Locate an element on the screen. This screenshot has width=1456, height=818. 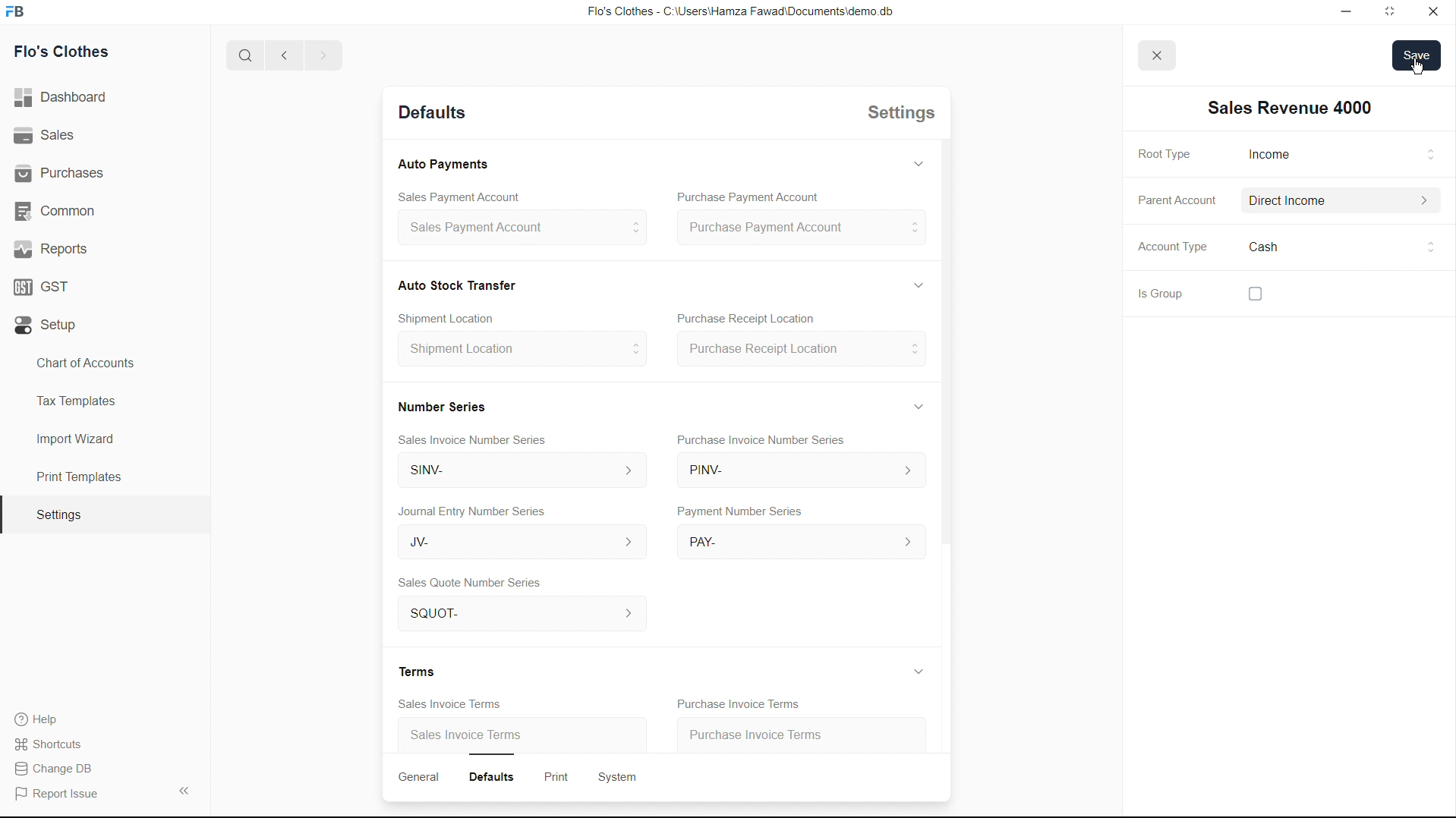
Sales Payment Account is located at coordinates (450, 195).